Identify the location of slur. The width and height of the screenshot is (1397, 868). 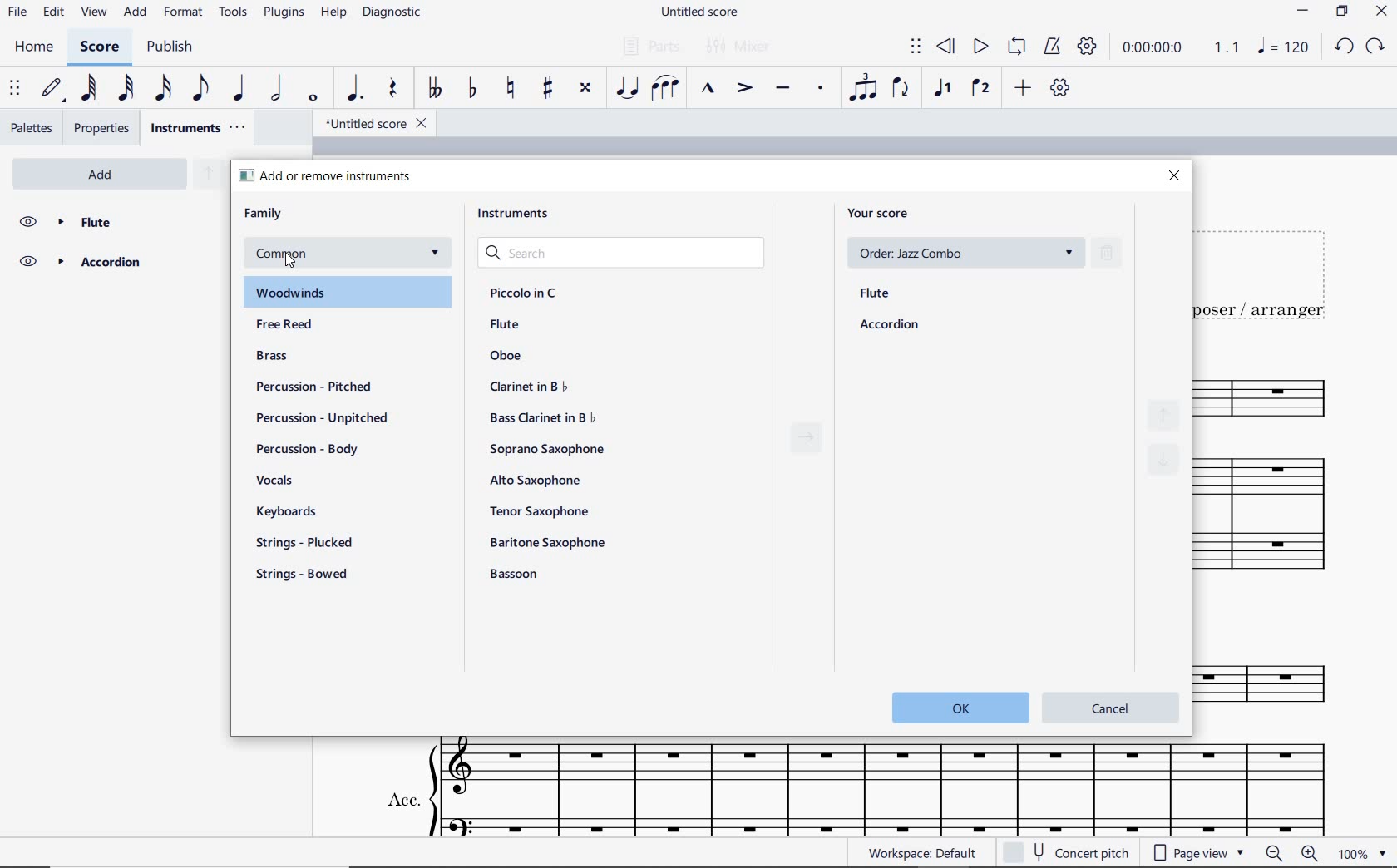
(668, 89).